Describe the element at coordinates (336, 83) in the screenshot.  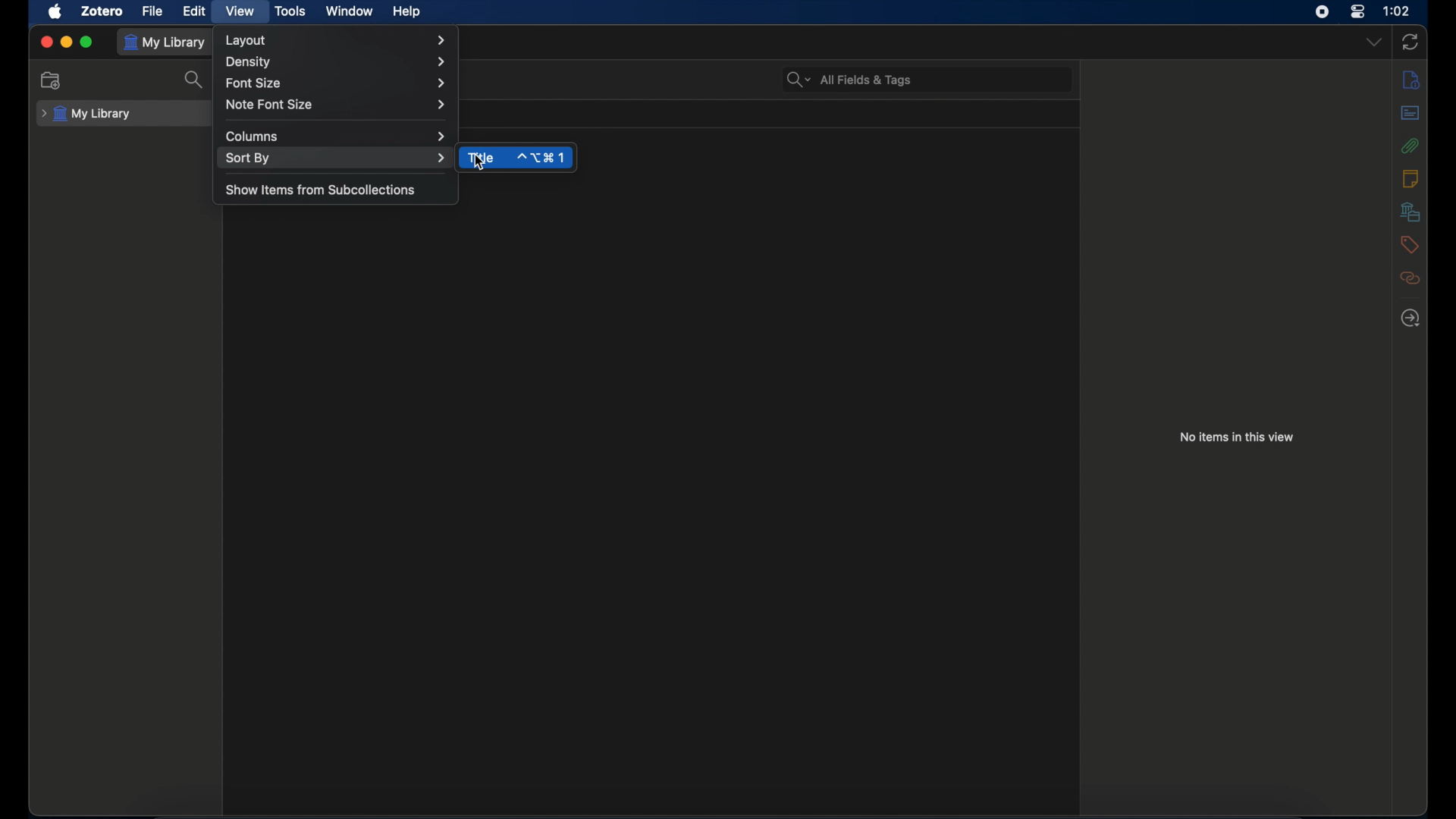
I see `font size` at that location.